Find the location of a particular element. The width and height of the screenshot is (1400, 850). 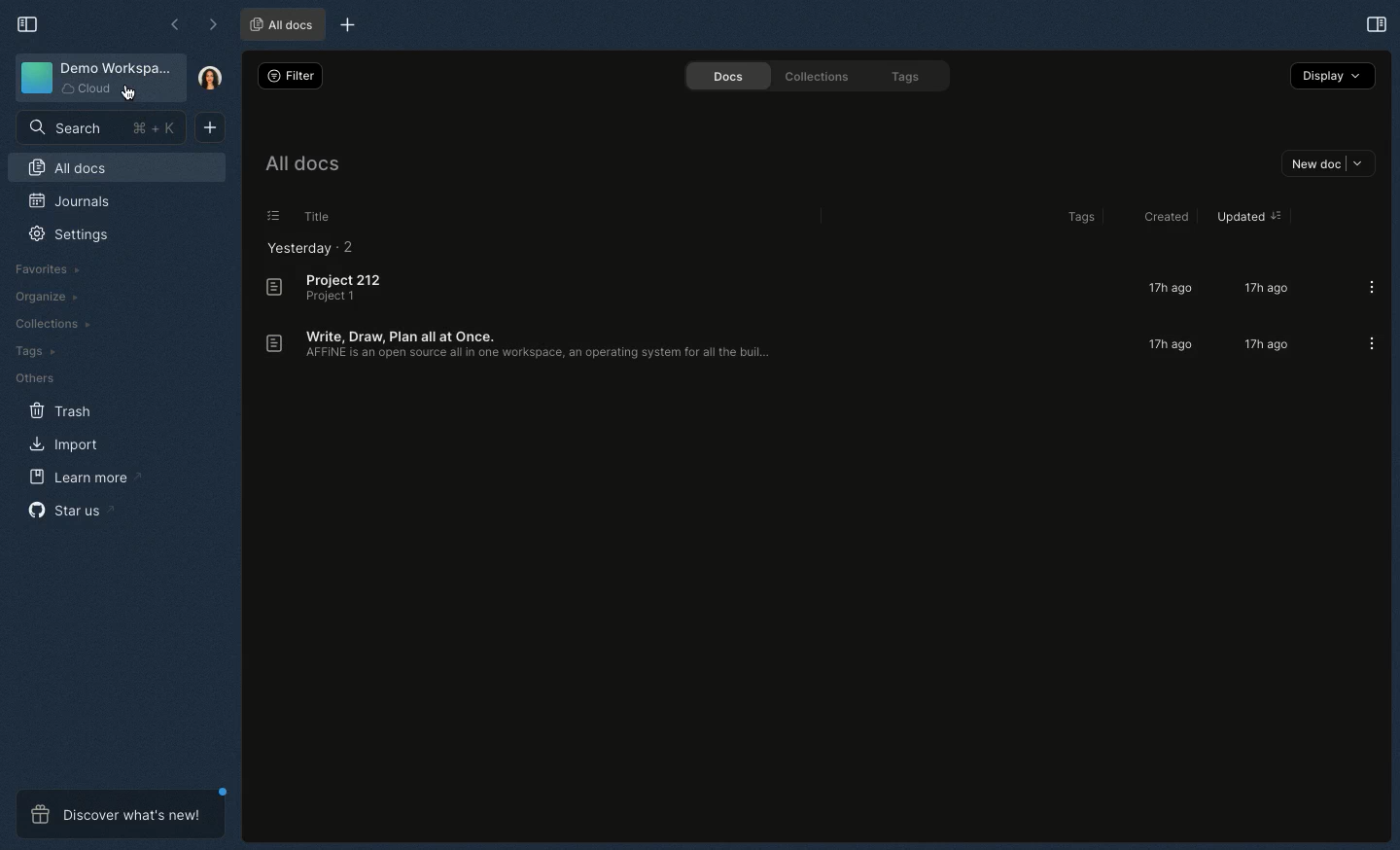

User is located at coordinates (208, 79).